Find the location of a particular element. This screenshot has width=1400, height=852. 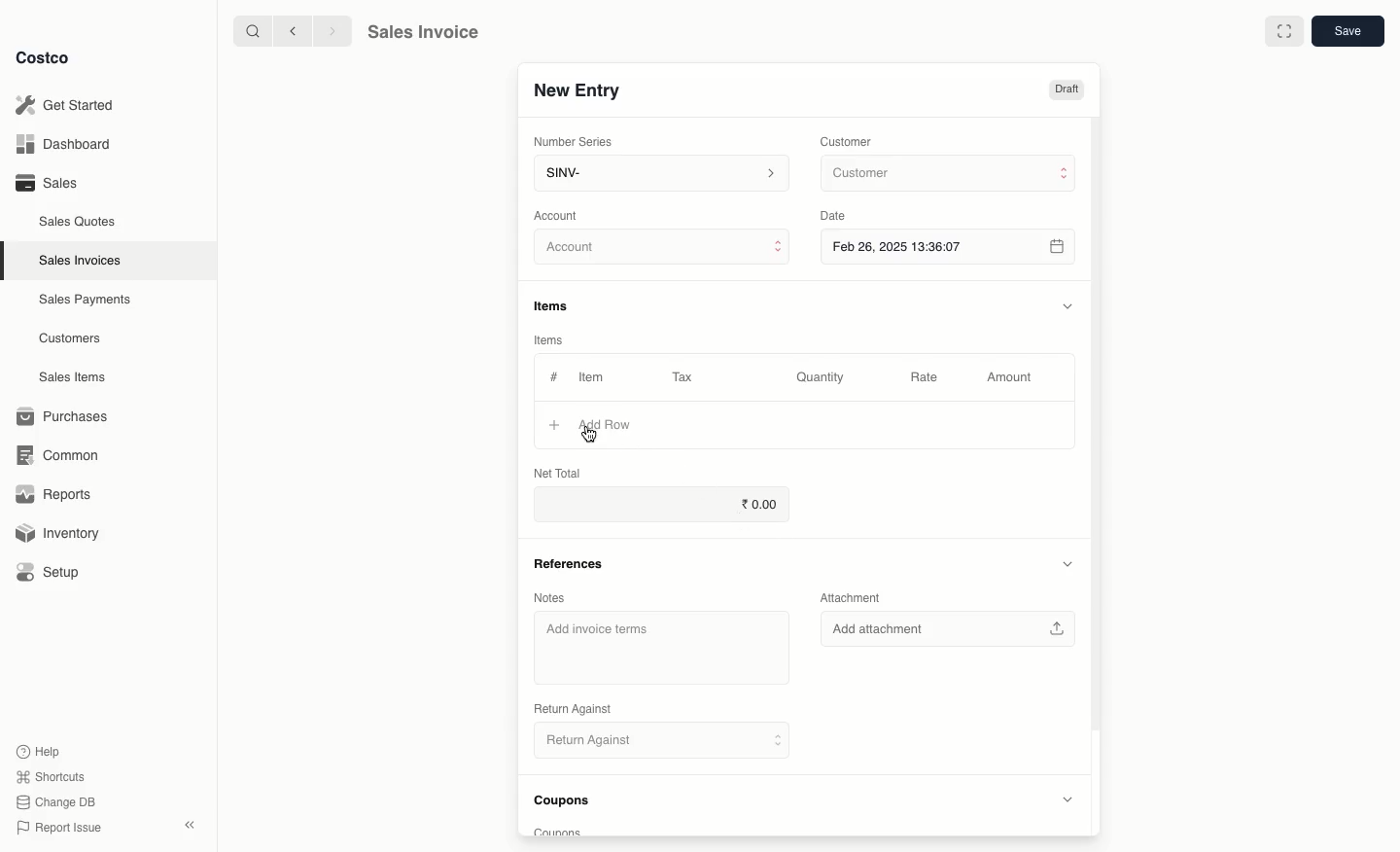

Rate is located at coordinates (927, 377).